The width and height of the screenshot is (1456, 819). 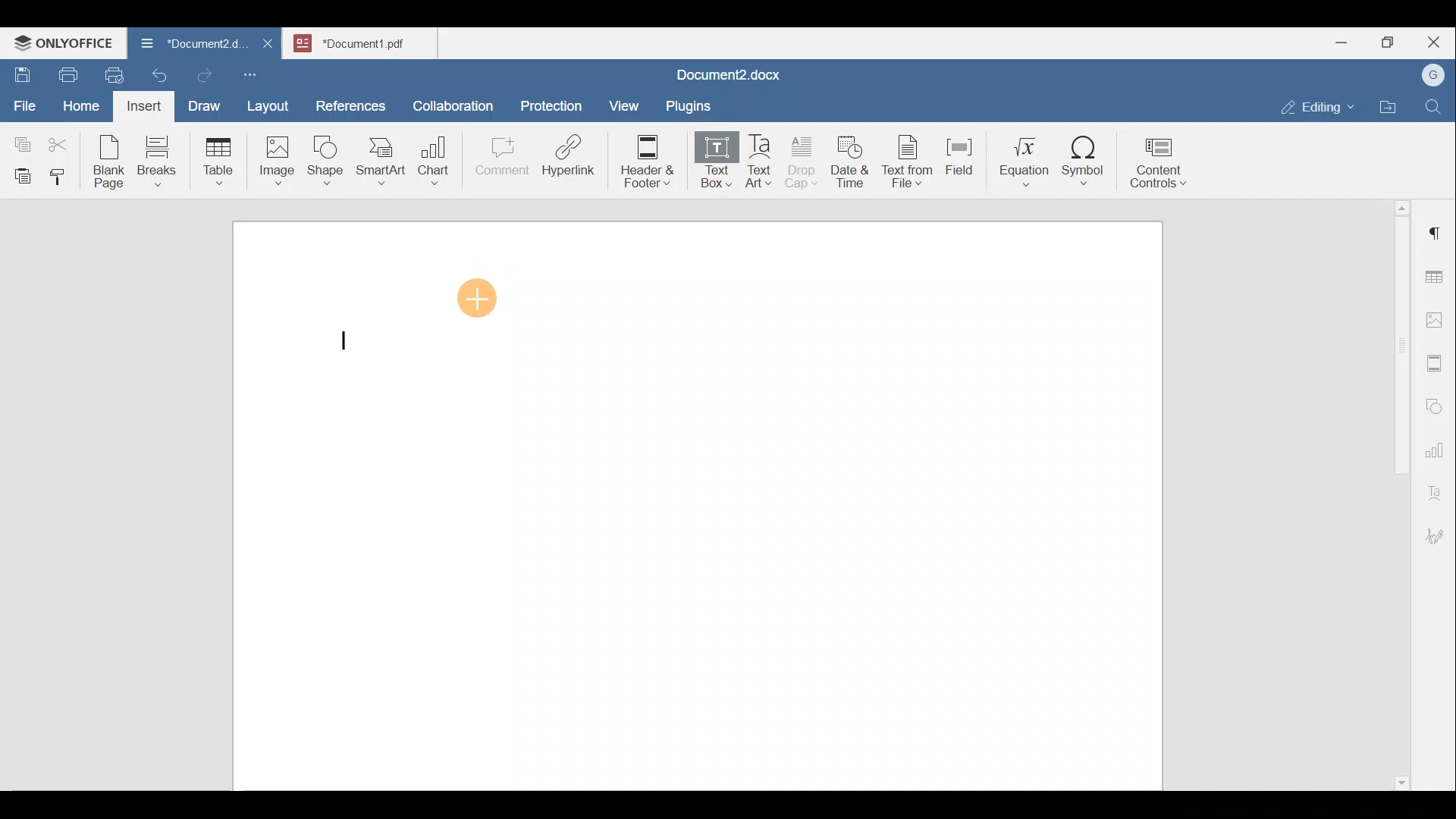 I want to click on Minimize, so click(x=1341, y=41).